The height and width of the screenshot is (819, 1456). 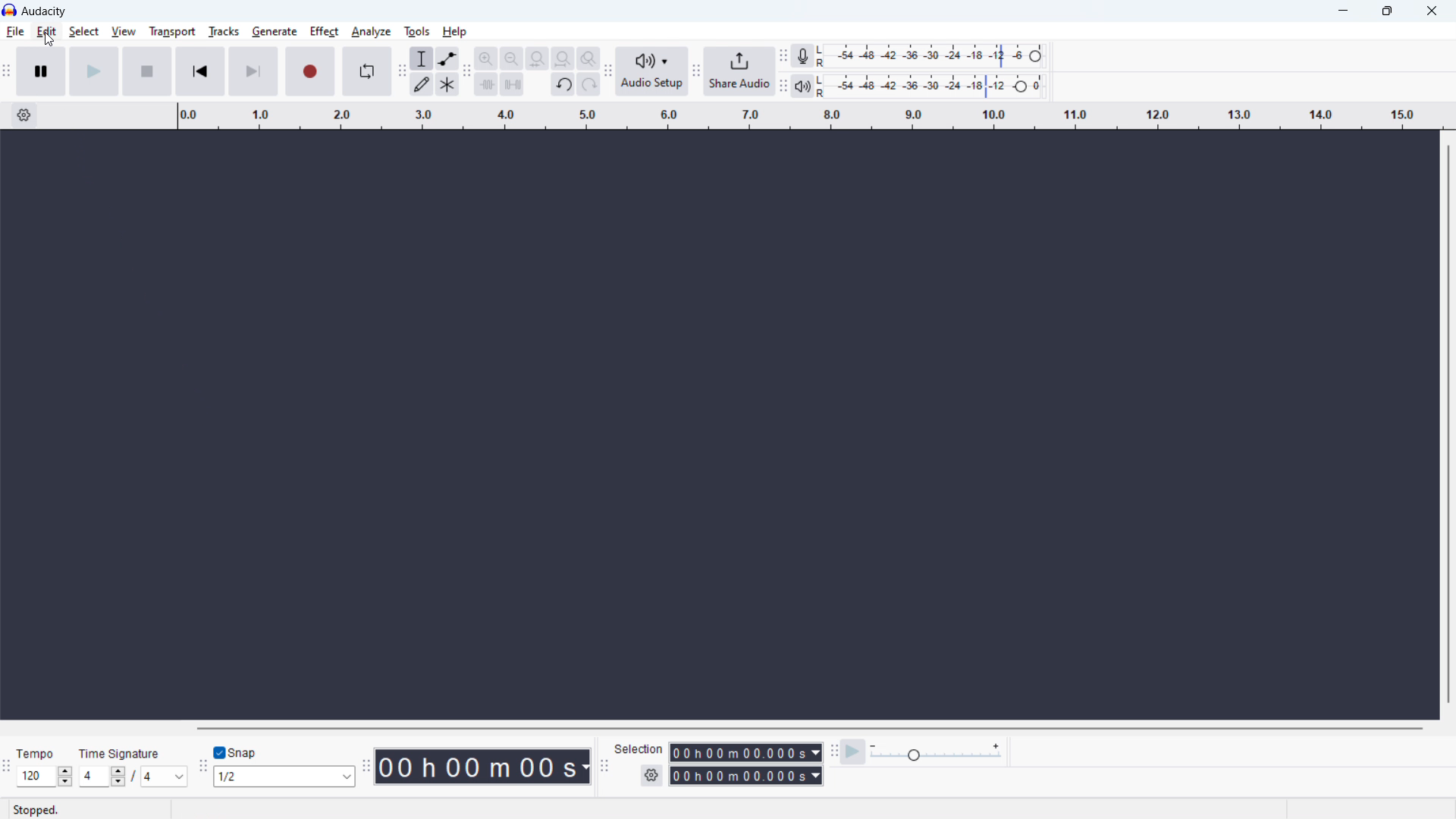 I want to click on zoom in, so click(x=485, y=58).